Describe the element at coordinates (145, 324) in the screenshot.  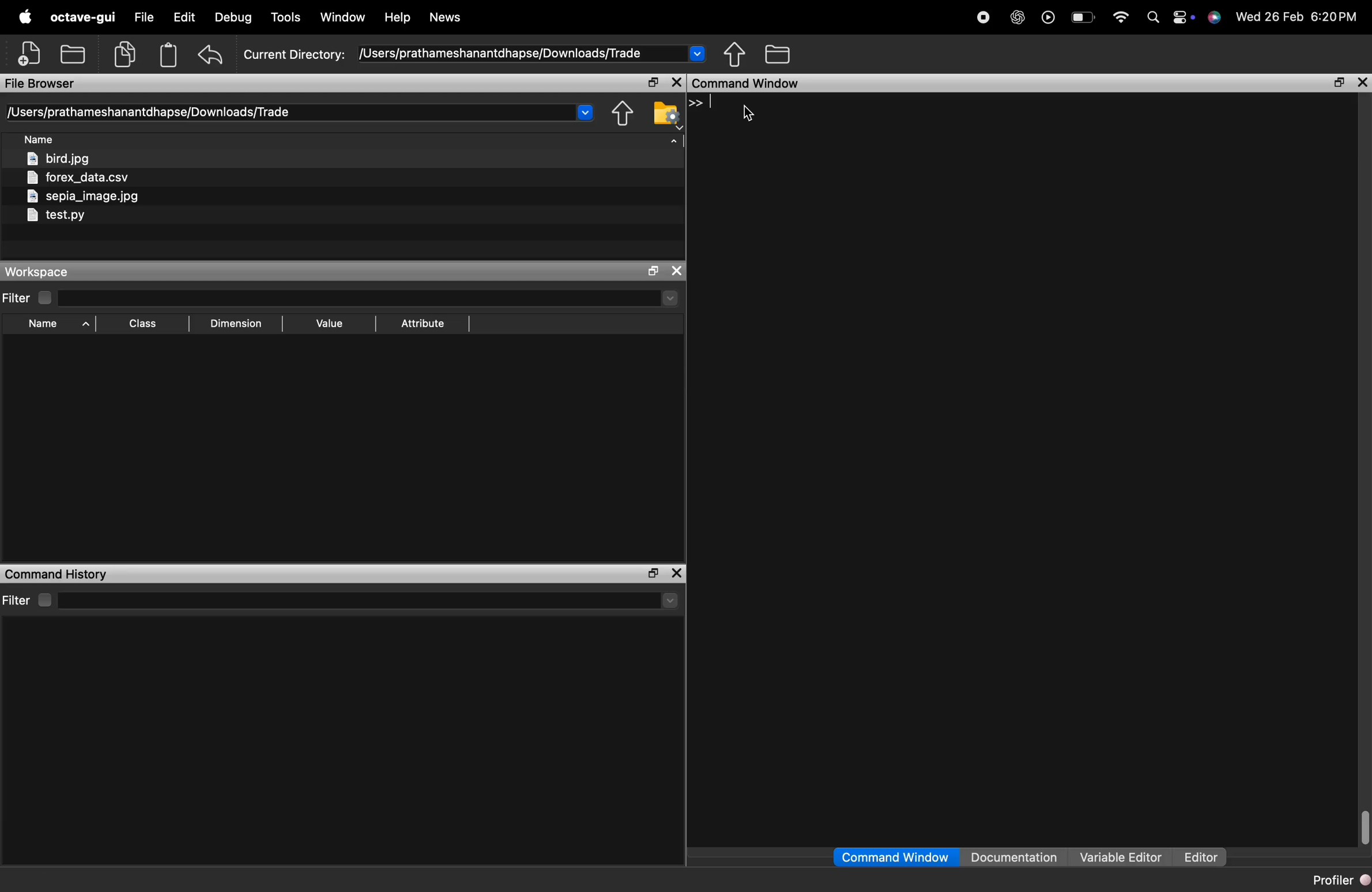
I see `Class` at that location.